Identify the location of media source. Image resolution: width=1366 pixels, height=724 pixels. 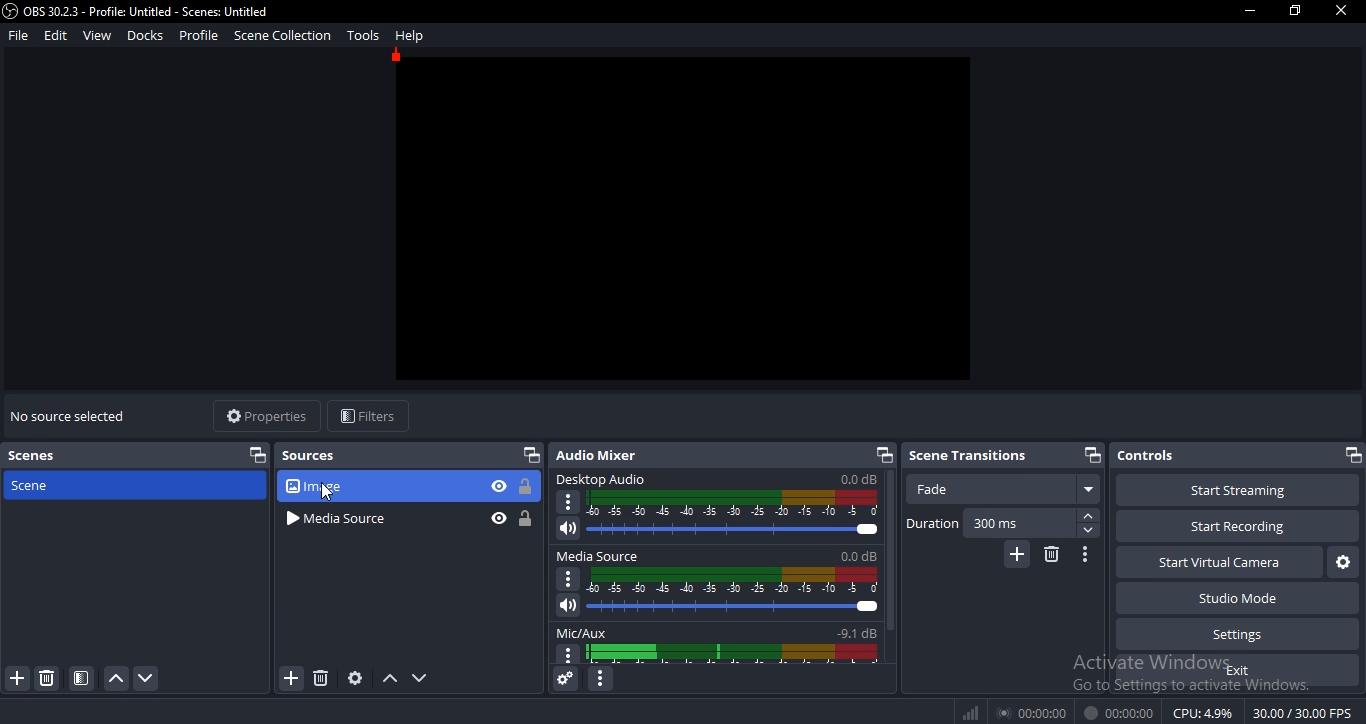
(371, 518).